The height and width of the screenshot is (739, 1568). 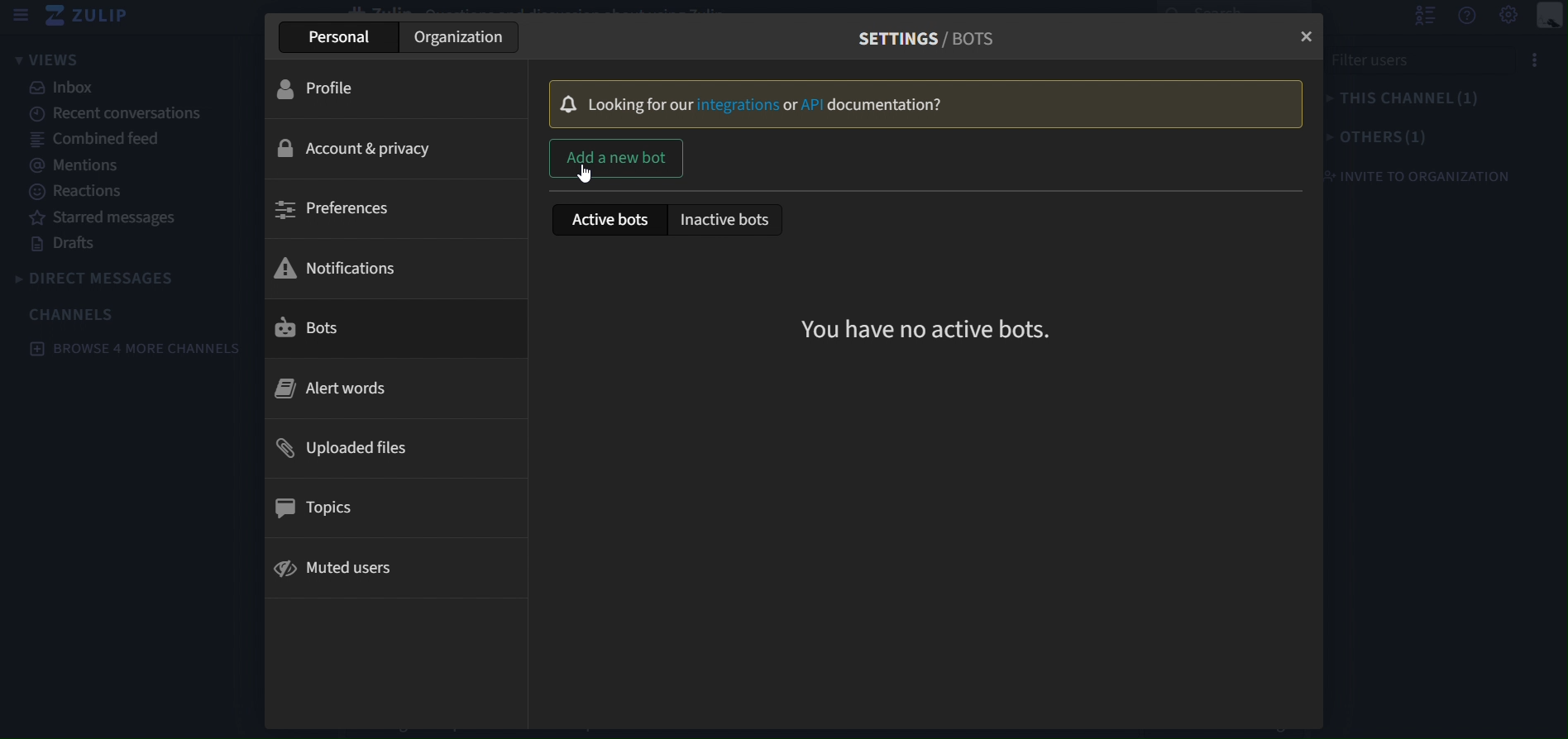 What do you see at coordinates (123, 116) in the screenshot?
I see `recent conversations` at bounding box center [123, 116].